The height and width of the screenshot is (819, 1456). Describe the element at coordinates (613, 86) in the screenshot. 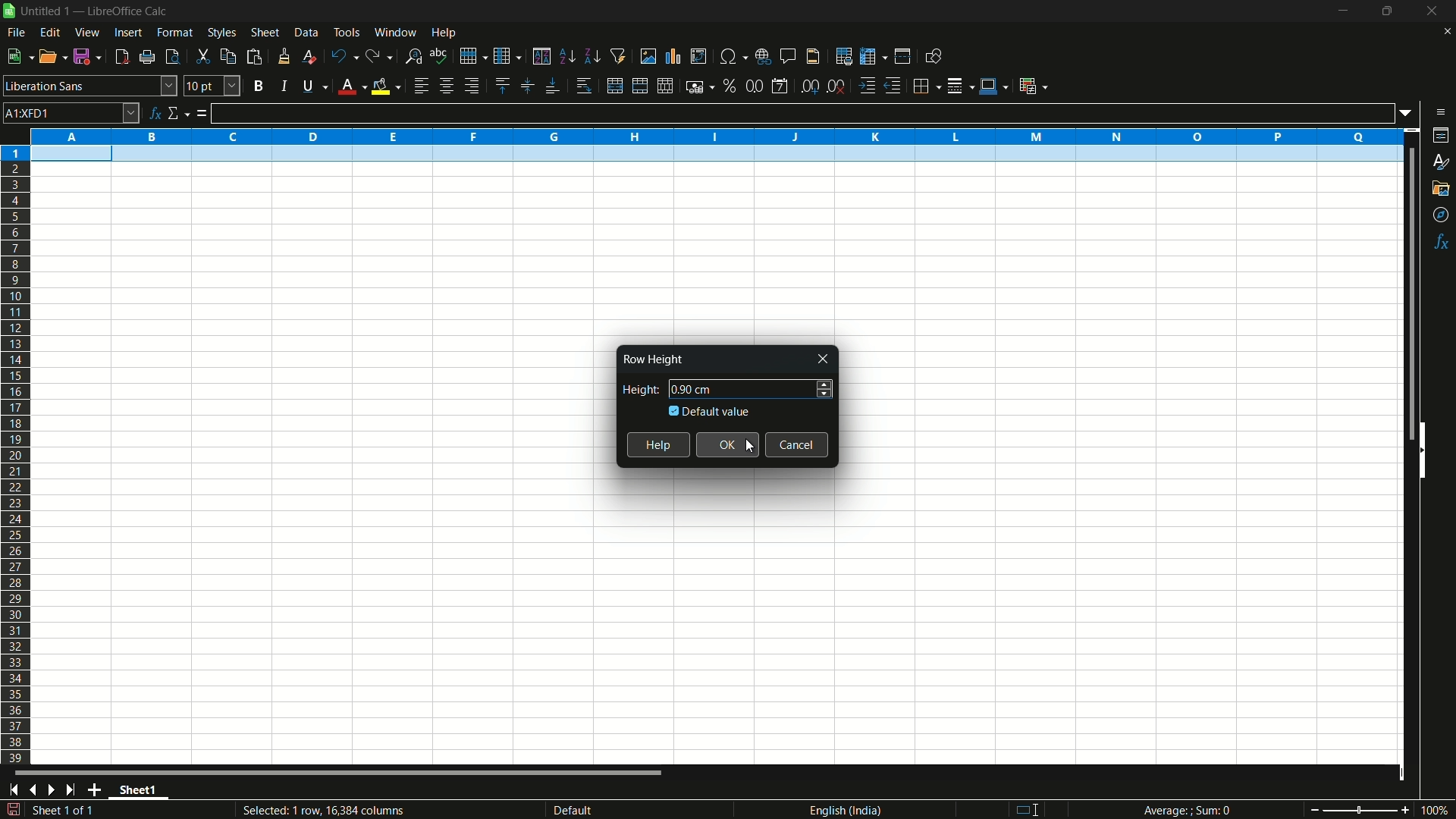

I see `merge and center or unmerge depending on the current toggle state` at that location.